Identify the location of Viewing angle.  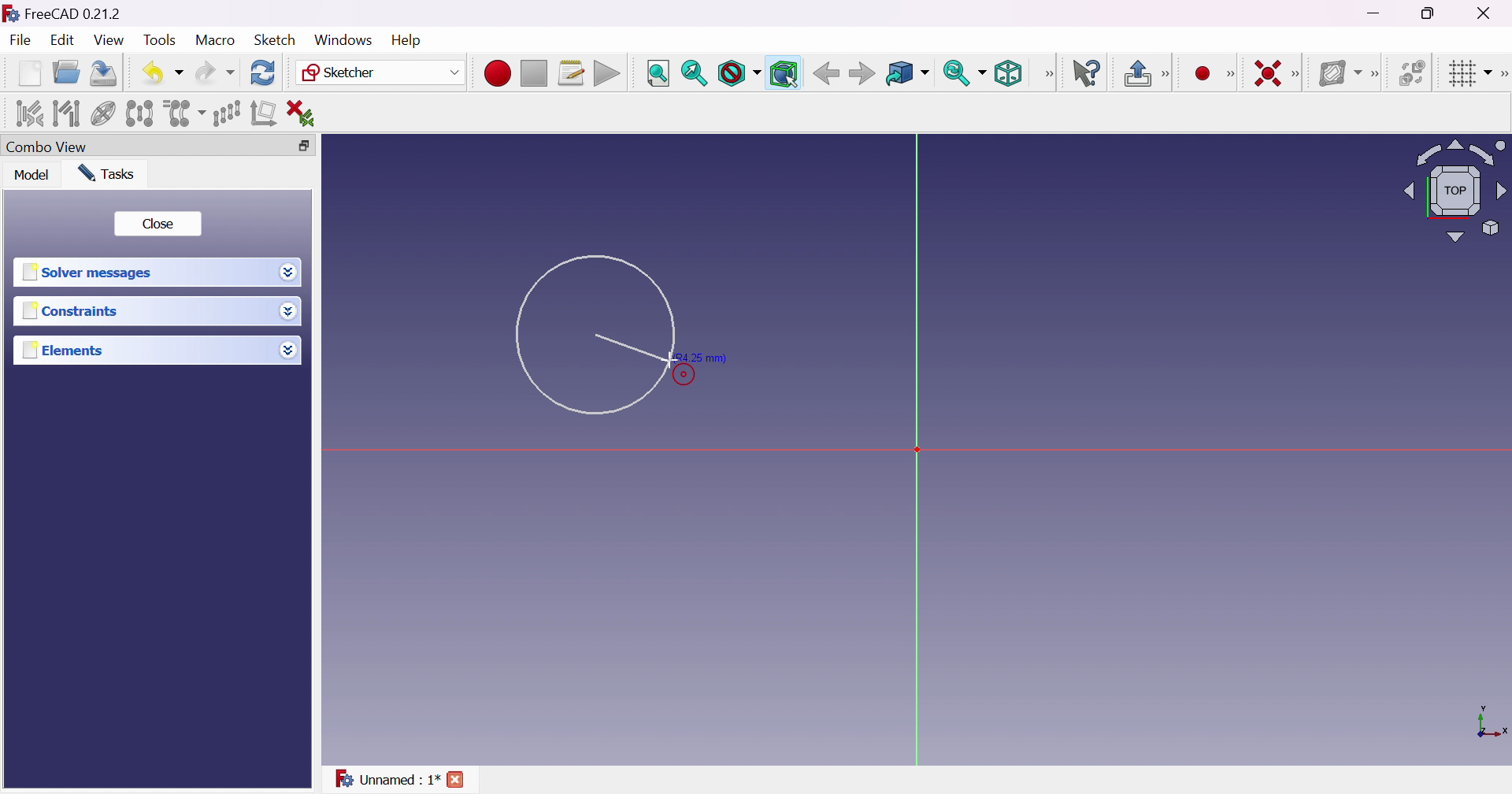
(1455, 190).